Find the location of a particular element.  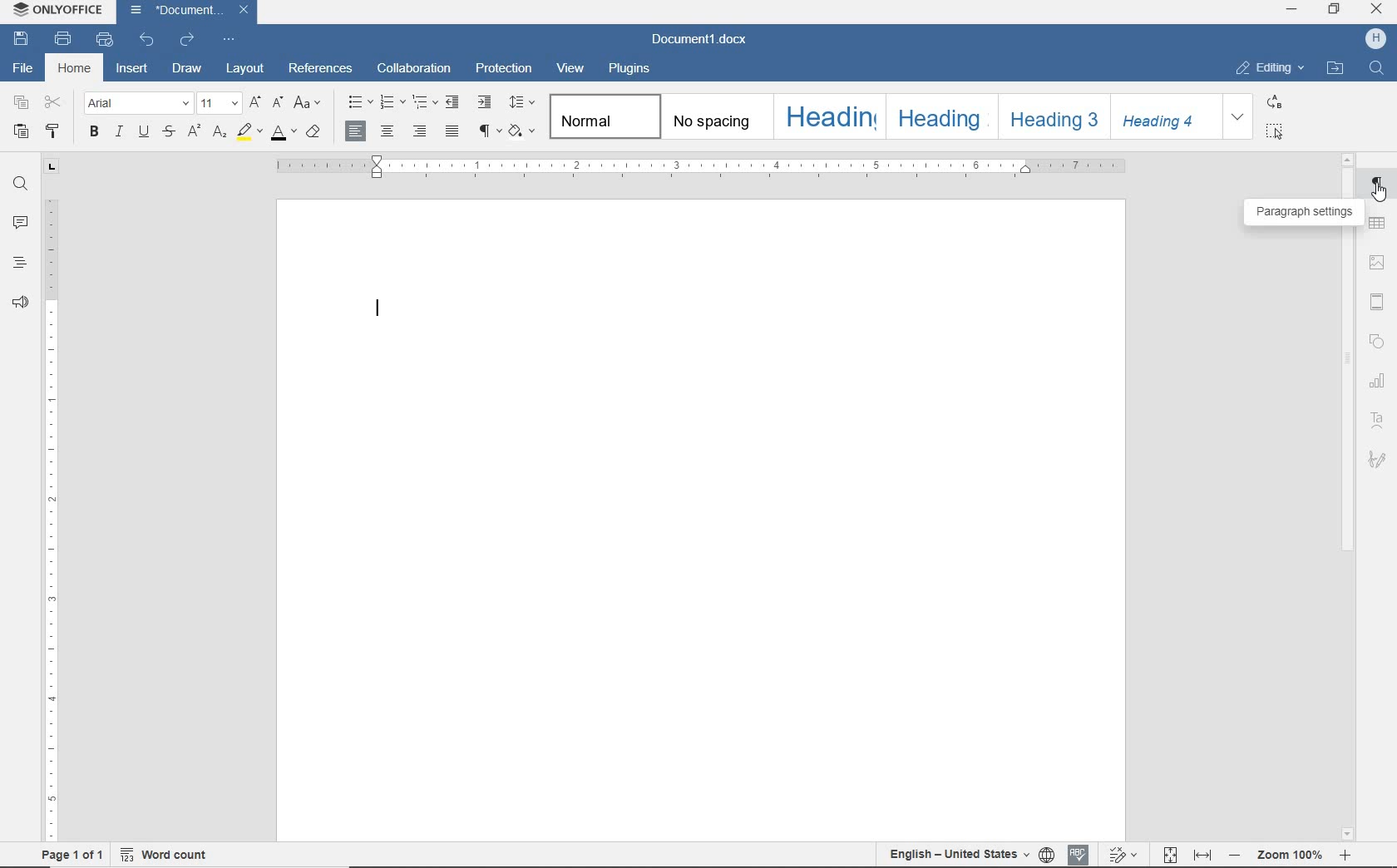

home is located at coordinates (77, 67).